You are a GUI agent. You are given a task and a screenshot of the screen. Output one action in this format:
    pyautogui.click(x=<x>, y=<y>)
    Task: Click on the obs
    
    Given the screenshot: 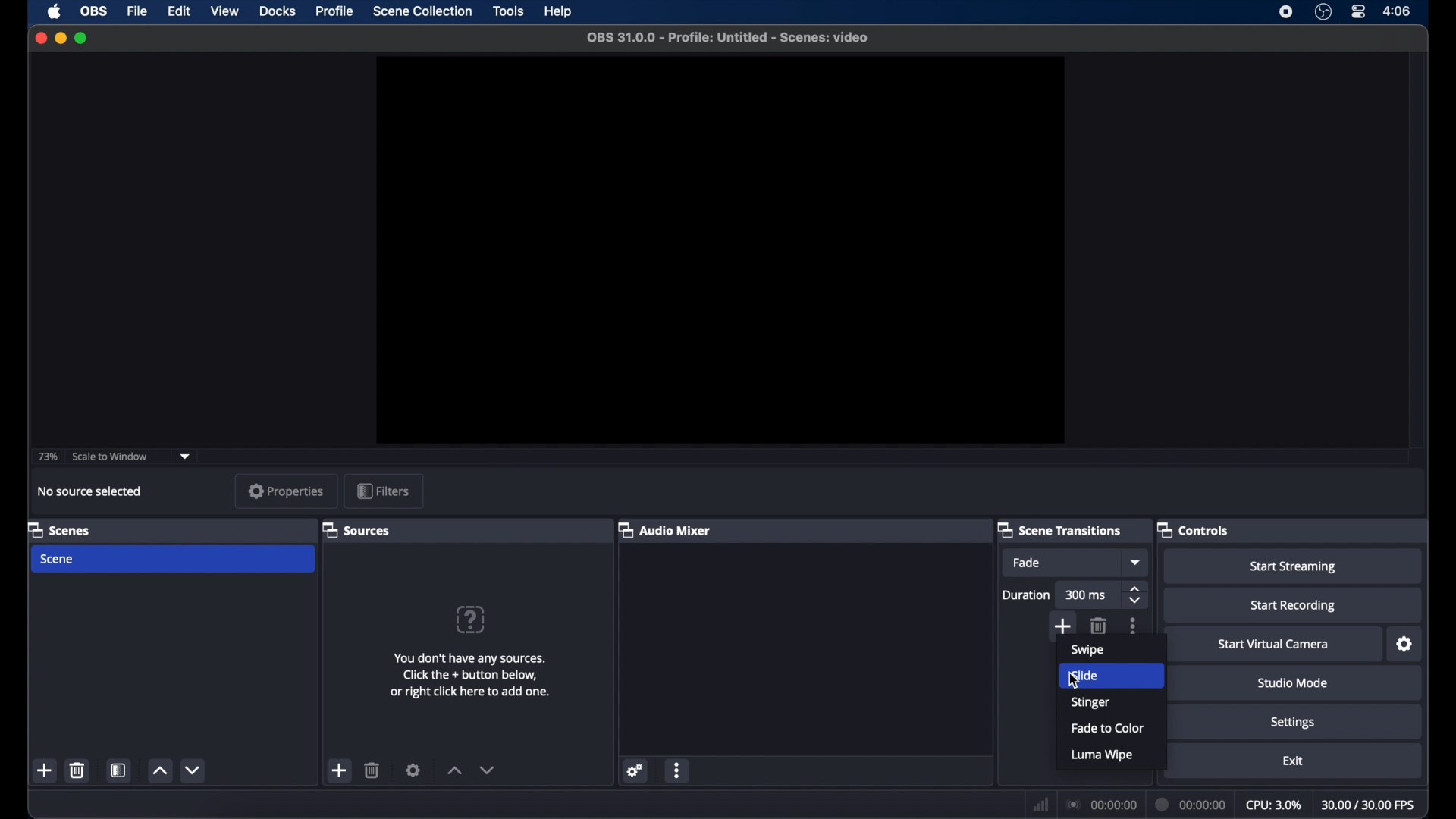 What is the action you would take?
    pyautogui.click(x=93, y=11)
    